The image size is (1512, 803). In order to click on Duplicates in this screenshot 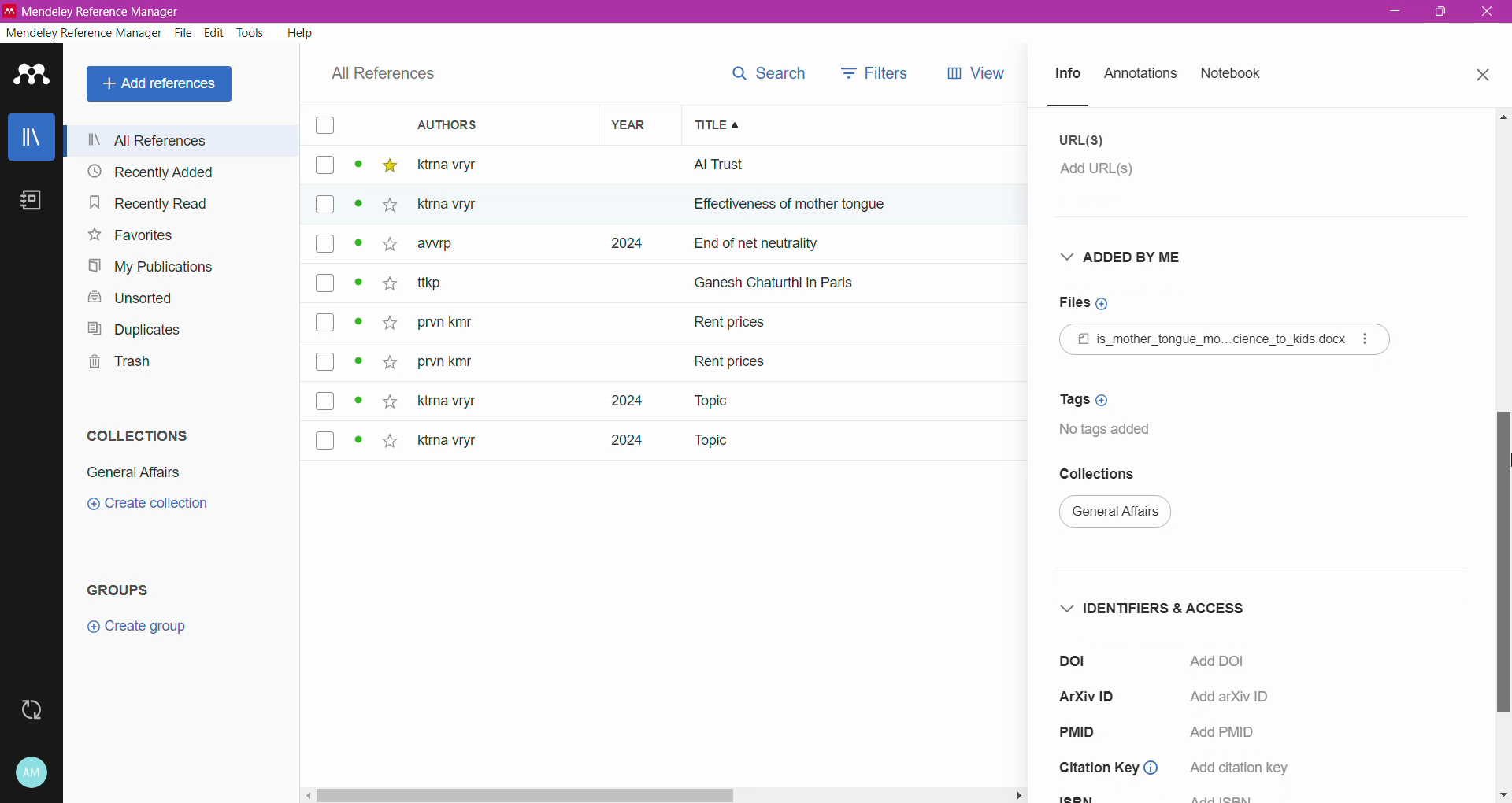, I will do `click(135, 329)`.